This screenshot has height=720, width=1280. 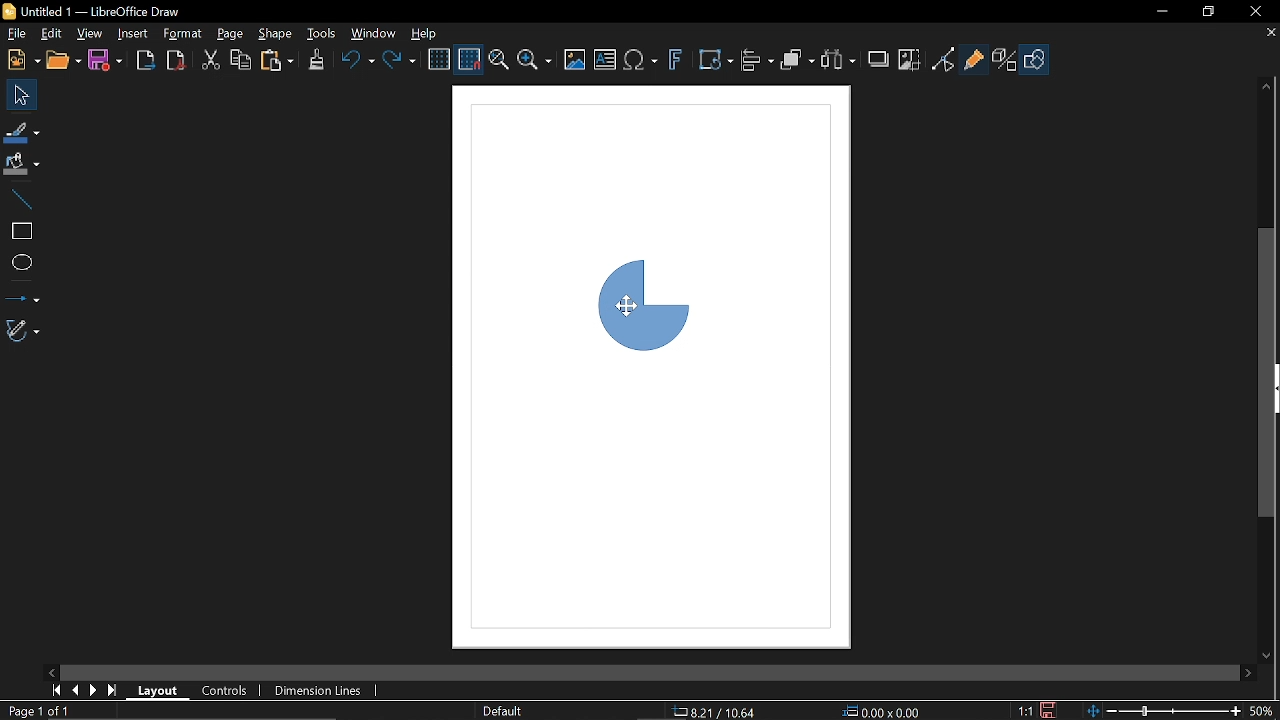 I want to click on File, so click(x=14, y=34).